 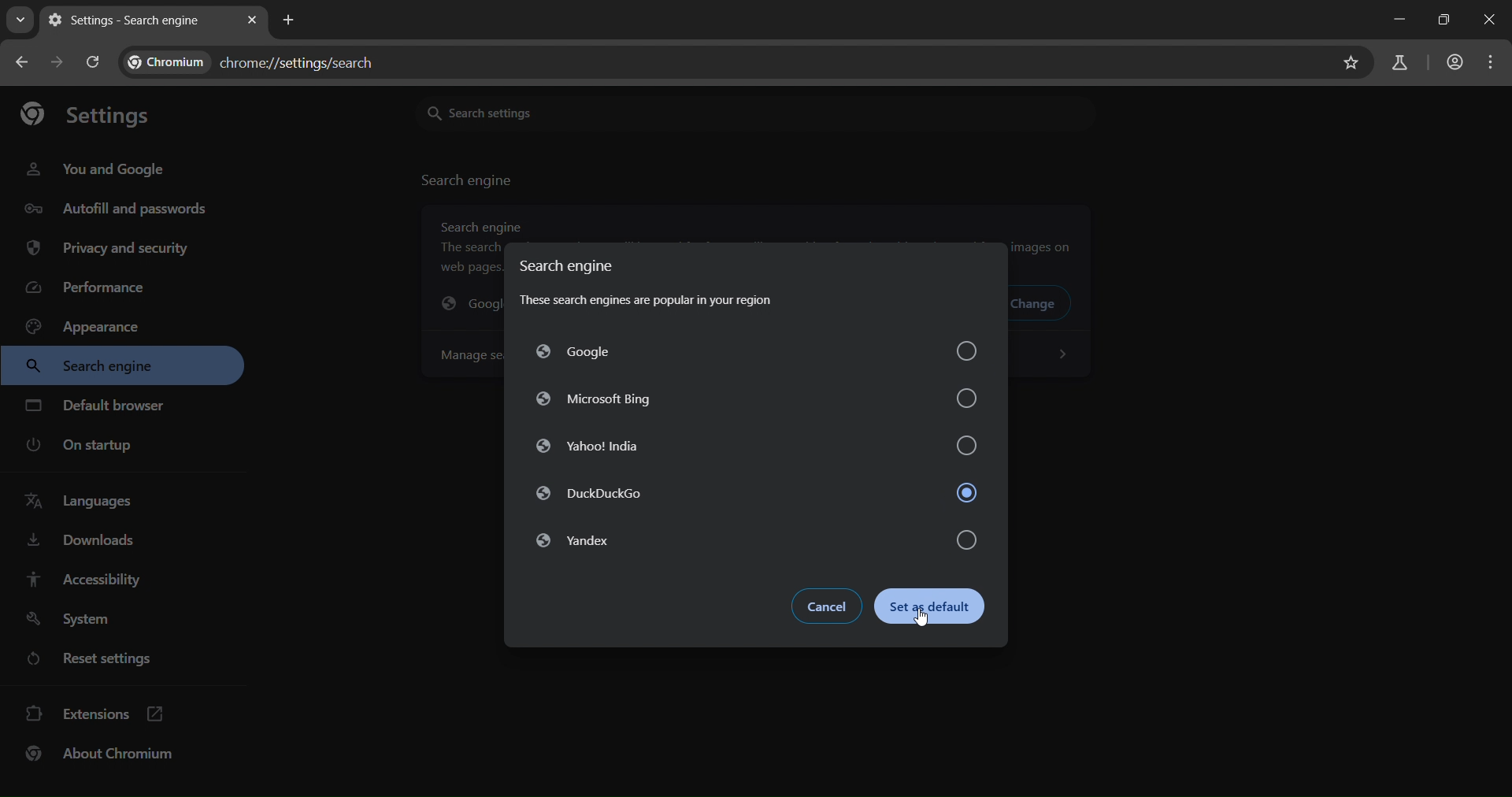 What do you see at coordinates (759, 398) in the screenshot?
I see `microsoft bing` at bounding box center [759, 398].